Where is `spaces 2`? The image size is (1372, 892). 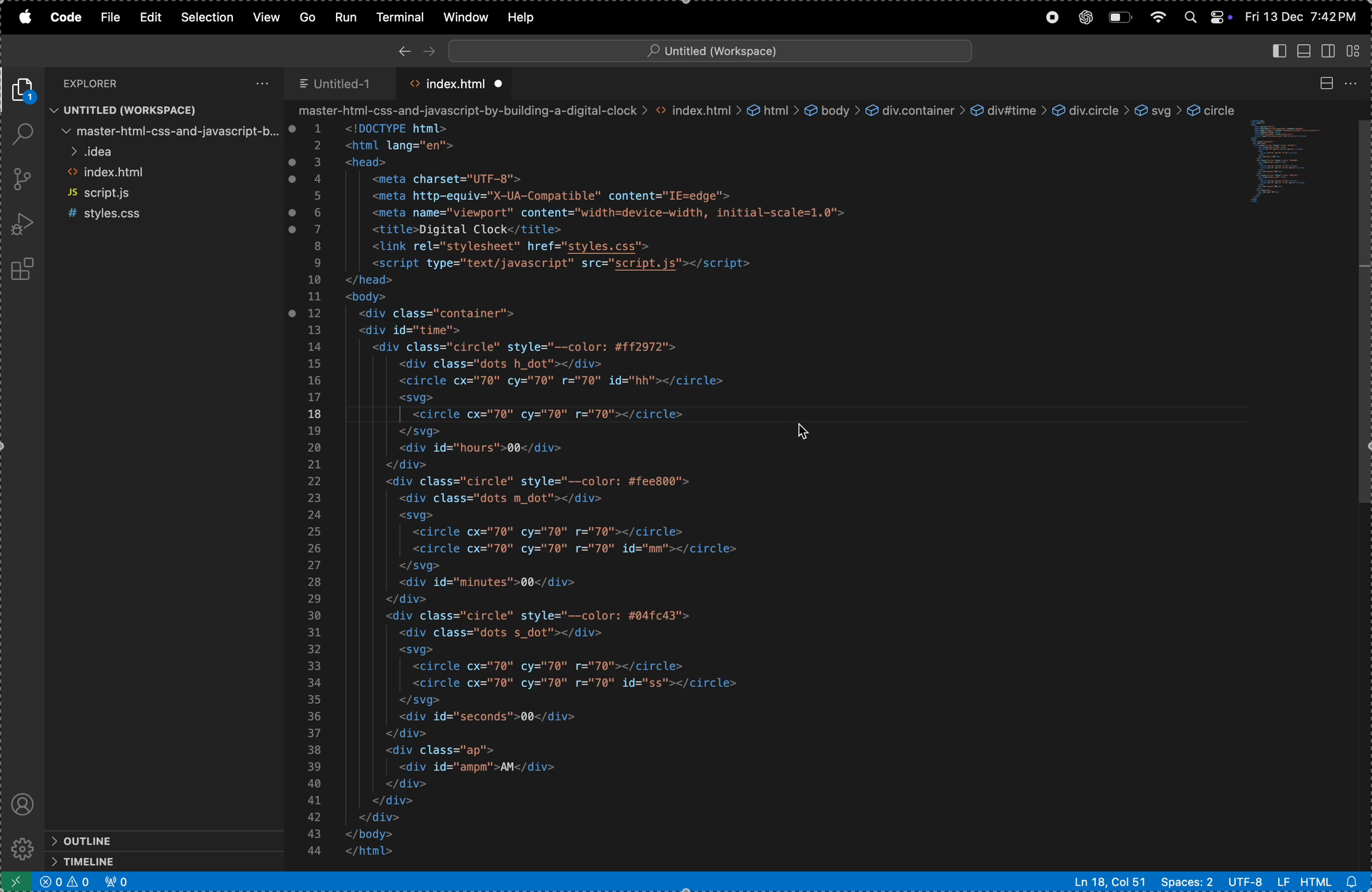
spaces 2 is located at coordinates (1185, 881).